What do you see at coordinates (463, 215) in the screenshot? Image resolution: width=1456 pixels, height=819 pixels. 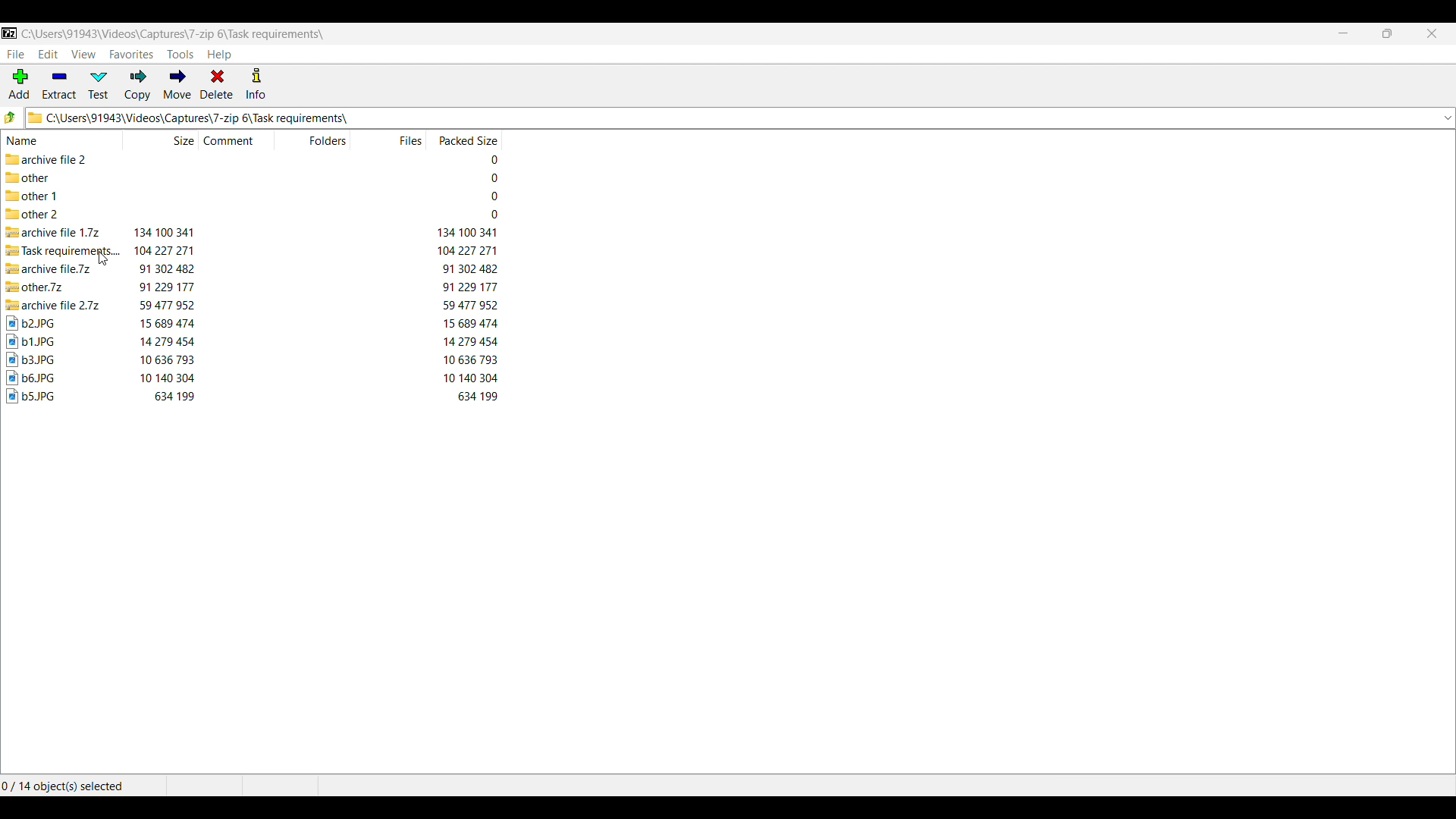 I see `packed size` at bounding box center [463, 215].